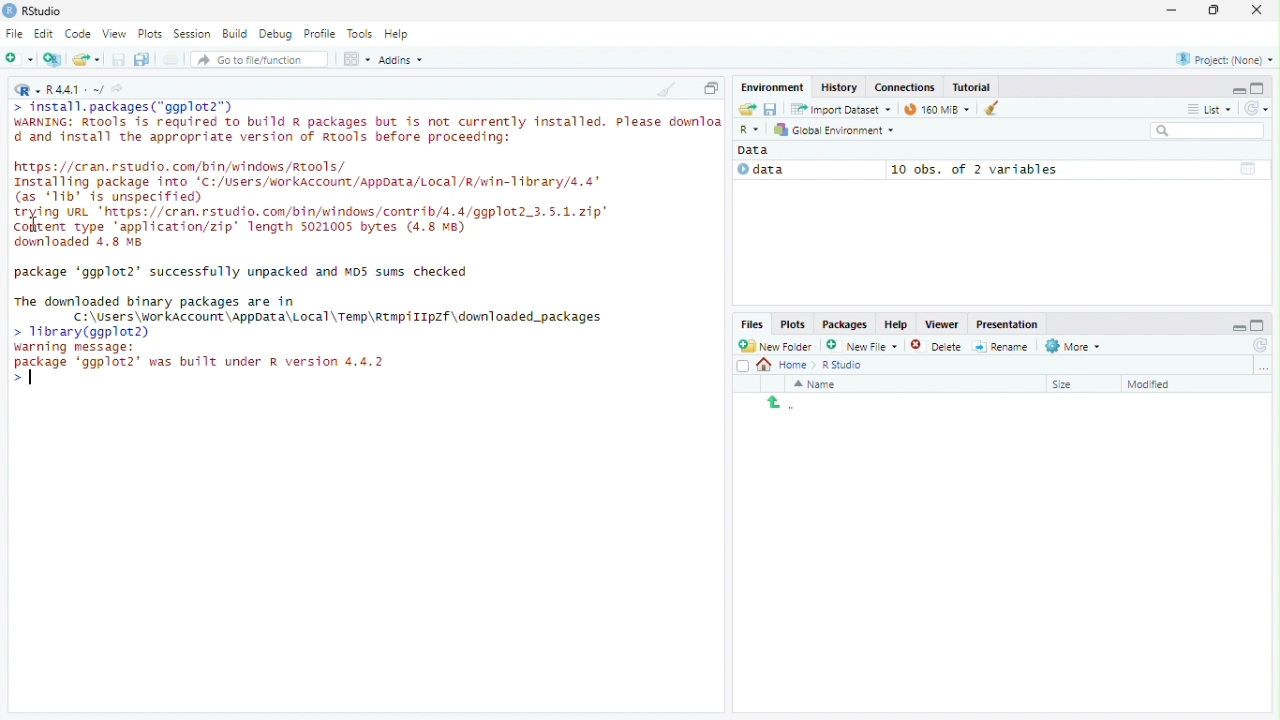 Image resolution: width=1280 pixels, height=720 pixels. Describe the element at coordinates (1164, 384) in the screenshot. I see `Sort by last modified` at that location.